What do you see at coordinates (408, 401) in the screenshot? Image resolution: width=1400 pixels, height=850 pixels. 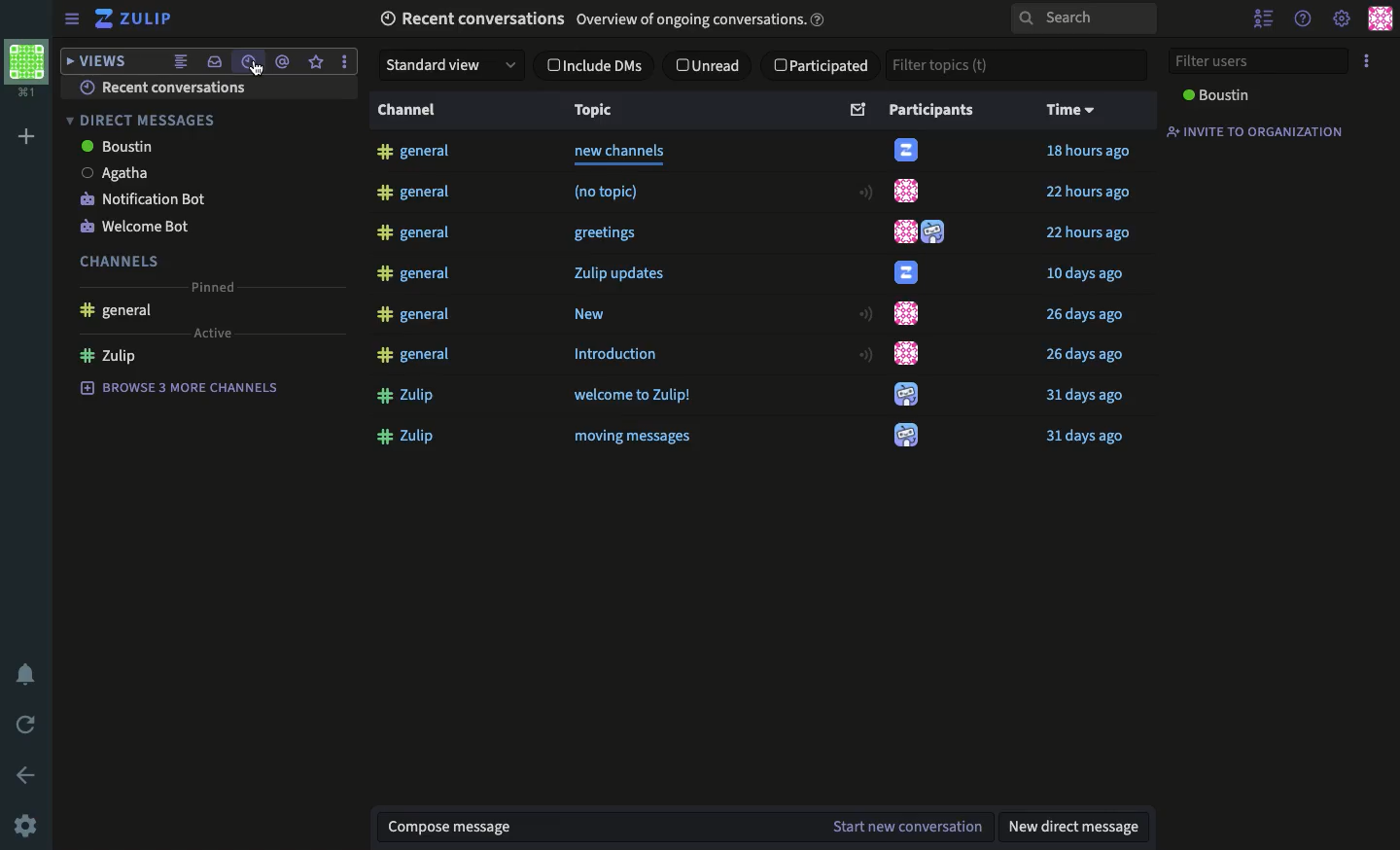 I see `zulip` at bounding box center [408, 401].